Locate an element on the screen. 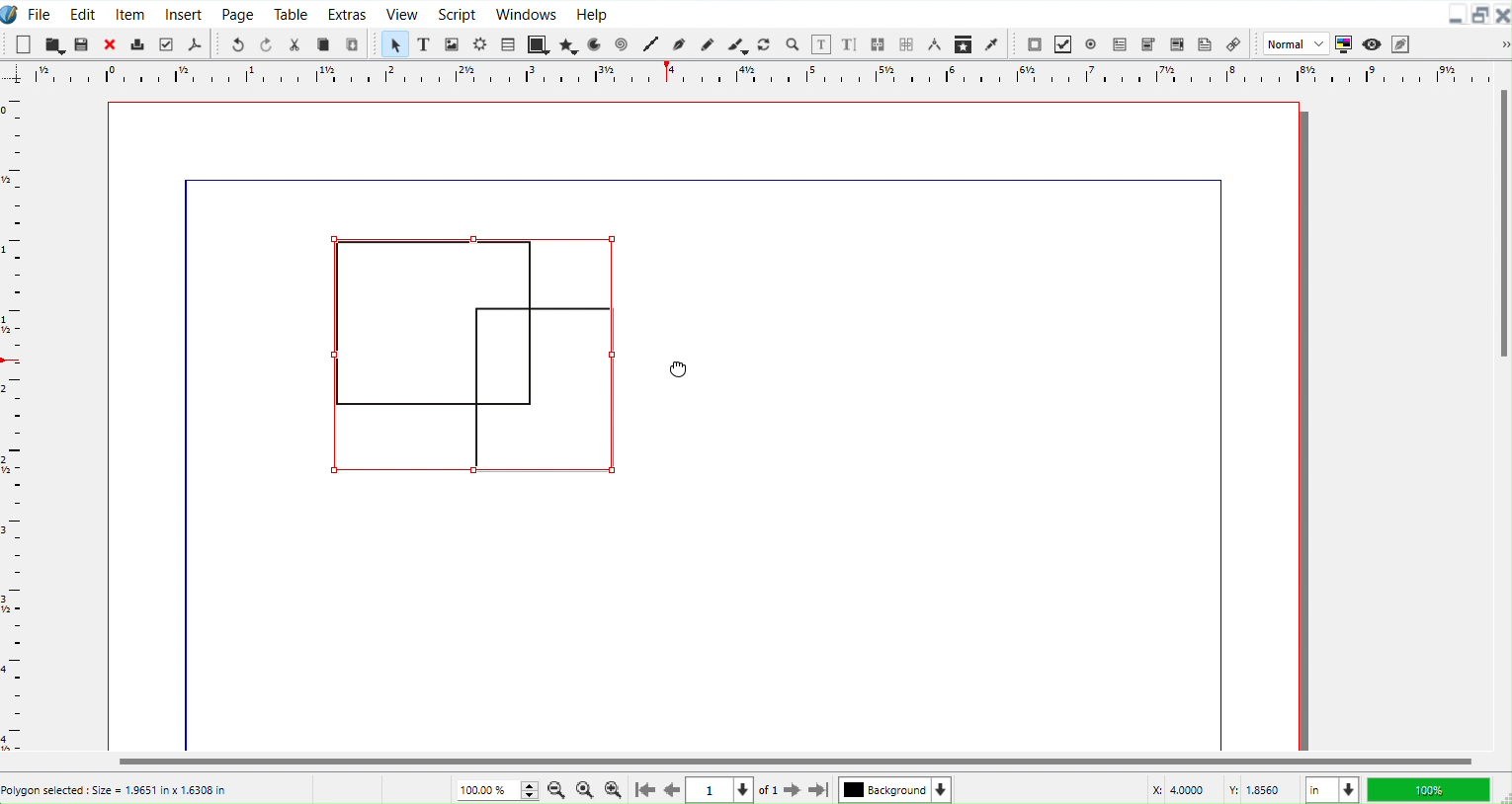 Image resolution: width=1512 pixels, height=804 pixels. Select current page is located at coordinates (721, 790).